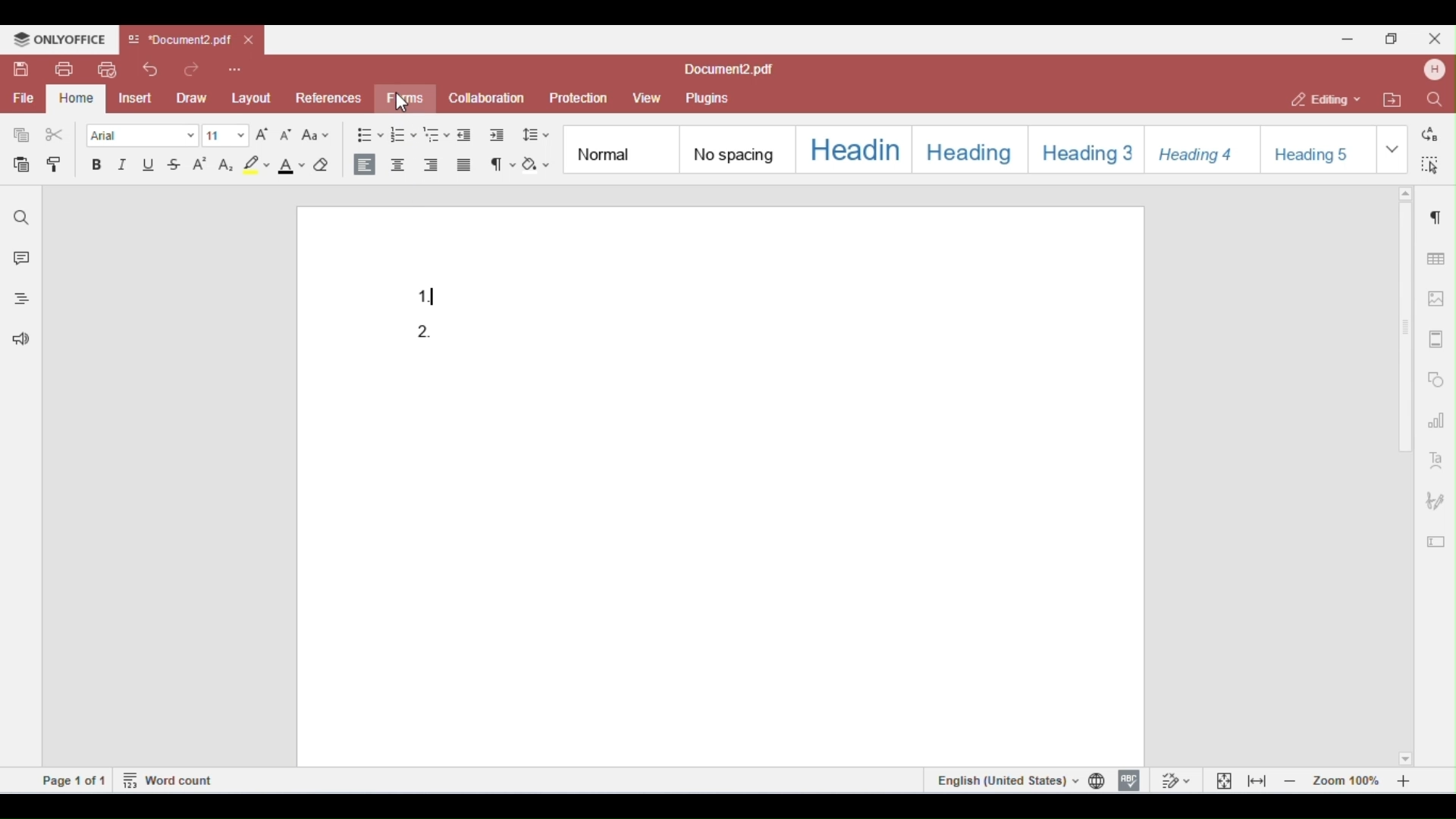 The image size is (1456, 819). Describe the element at coordinates (617, 147) in the screenshot. I see `normal` at that location.